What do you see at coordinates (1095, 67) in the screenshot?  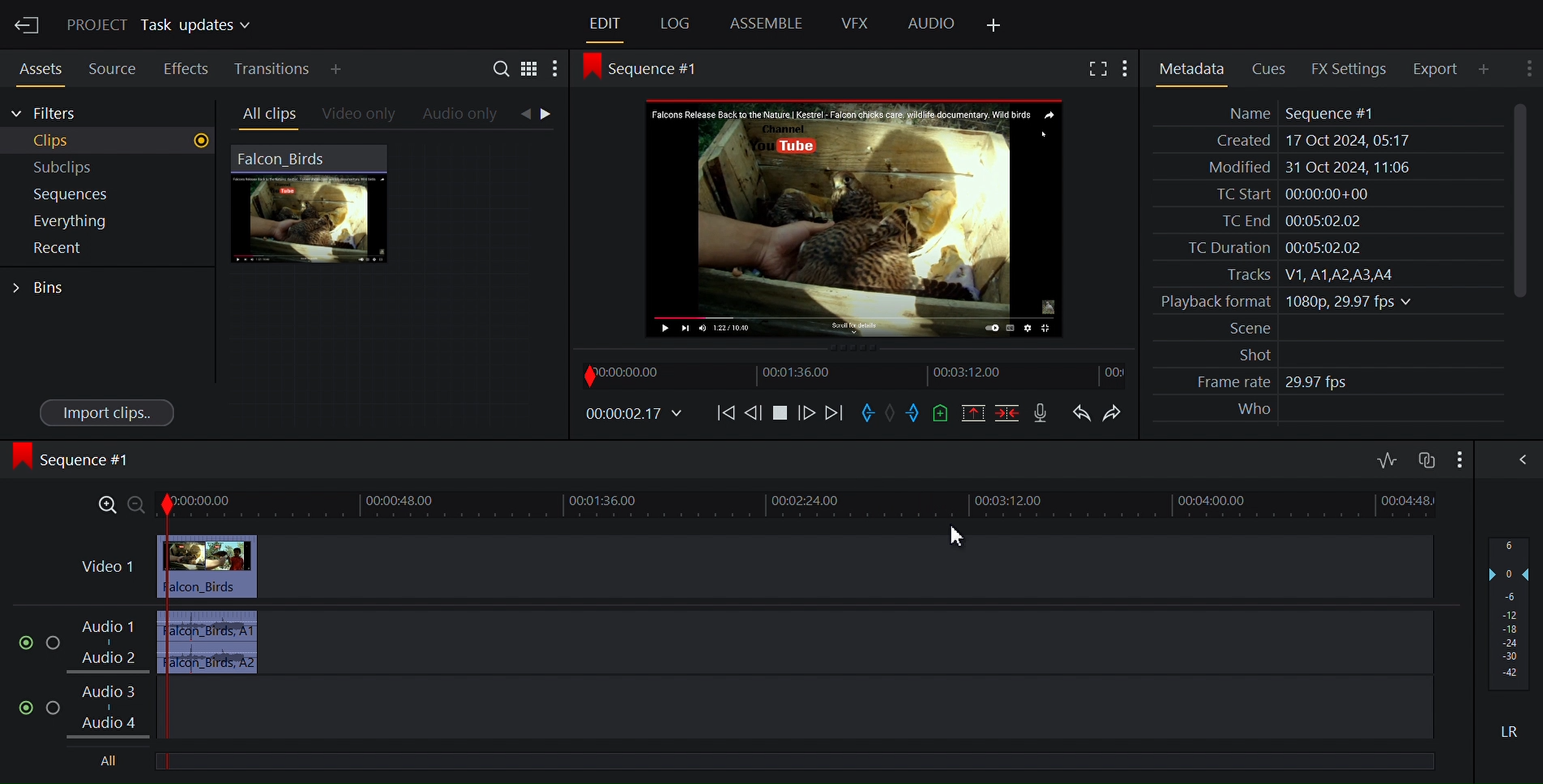 I see `Fullscreen` at bounding box center [1095, 67].